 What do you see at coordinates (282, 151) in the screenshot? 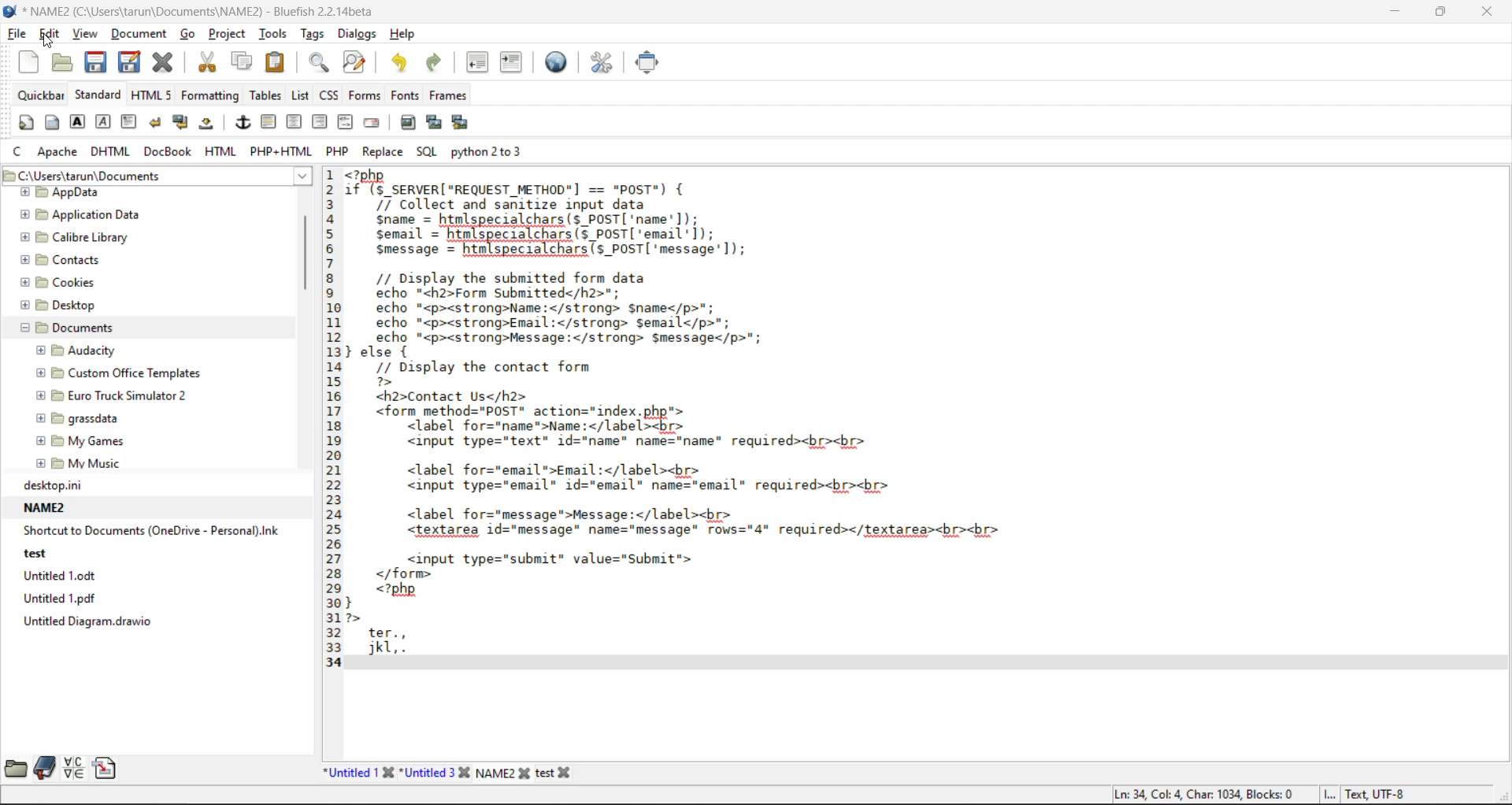
I see `php html` at bounding box center [282, 151].